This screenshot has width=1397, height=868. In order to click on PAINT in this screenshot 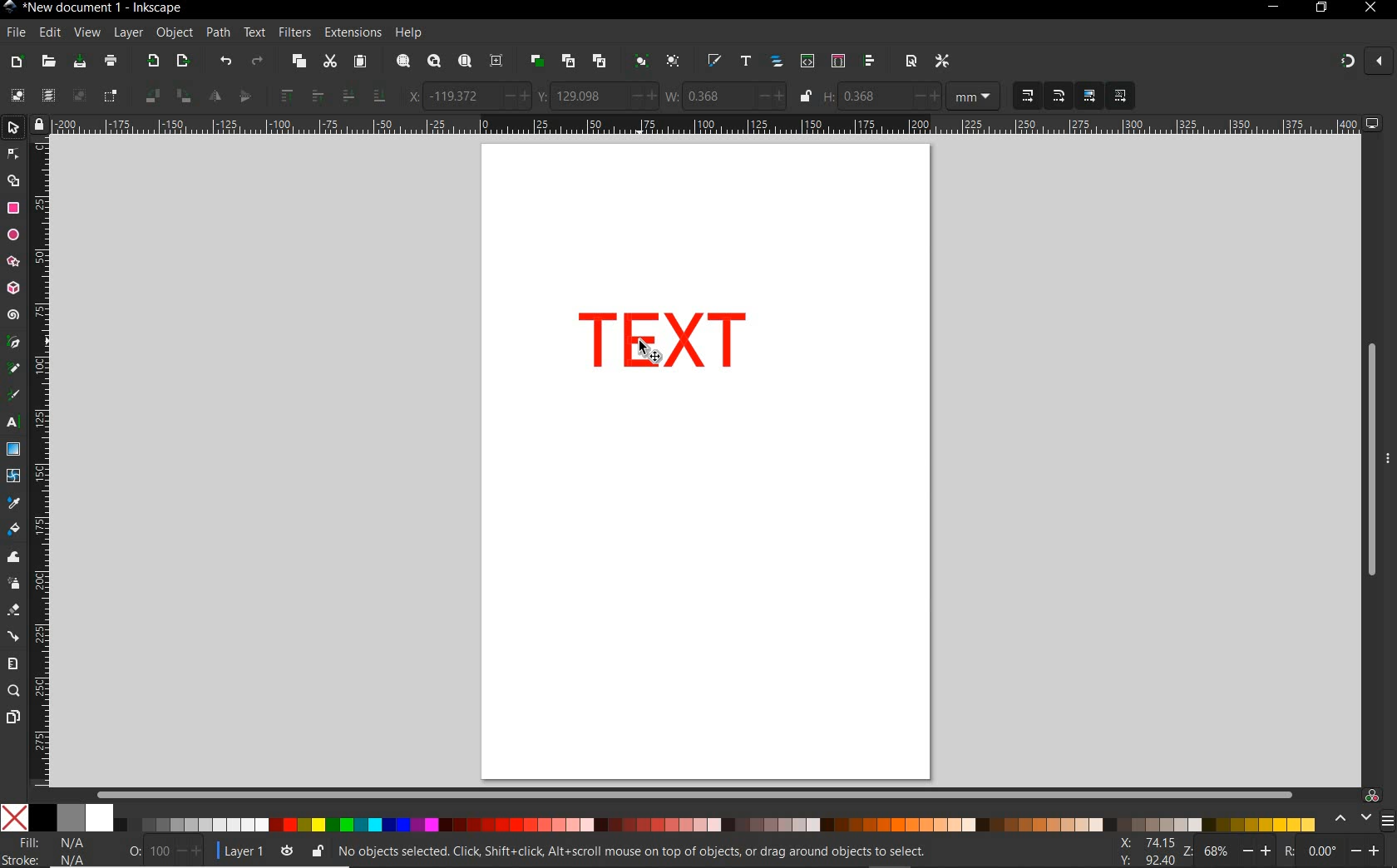, I will do `click(111, 63)`.